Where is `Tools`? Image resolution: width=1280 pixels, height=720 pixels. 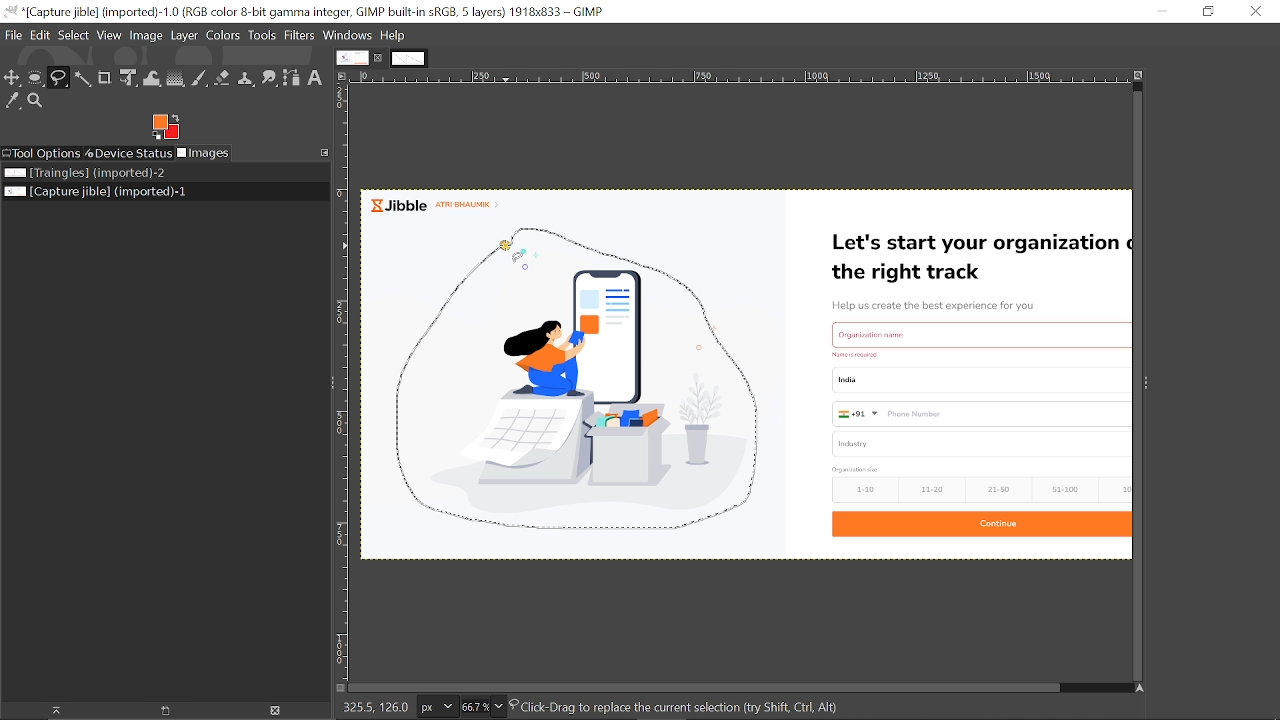
Tools is located at coordinates (262, 36).